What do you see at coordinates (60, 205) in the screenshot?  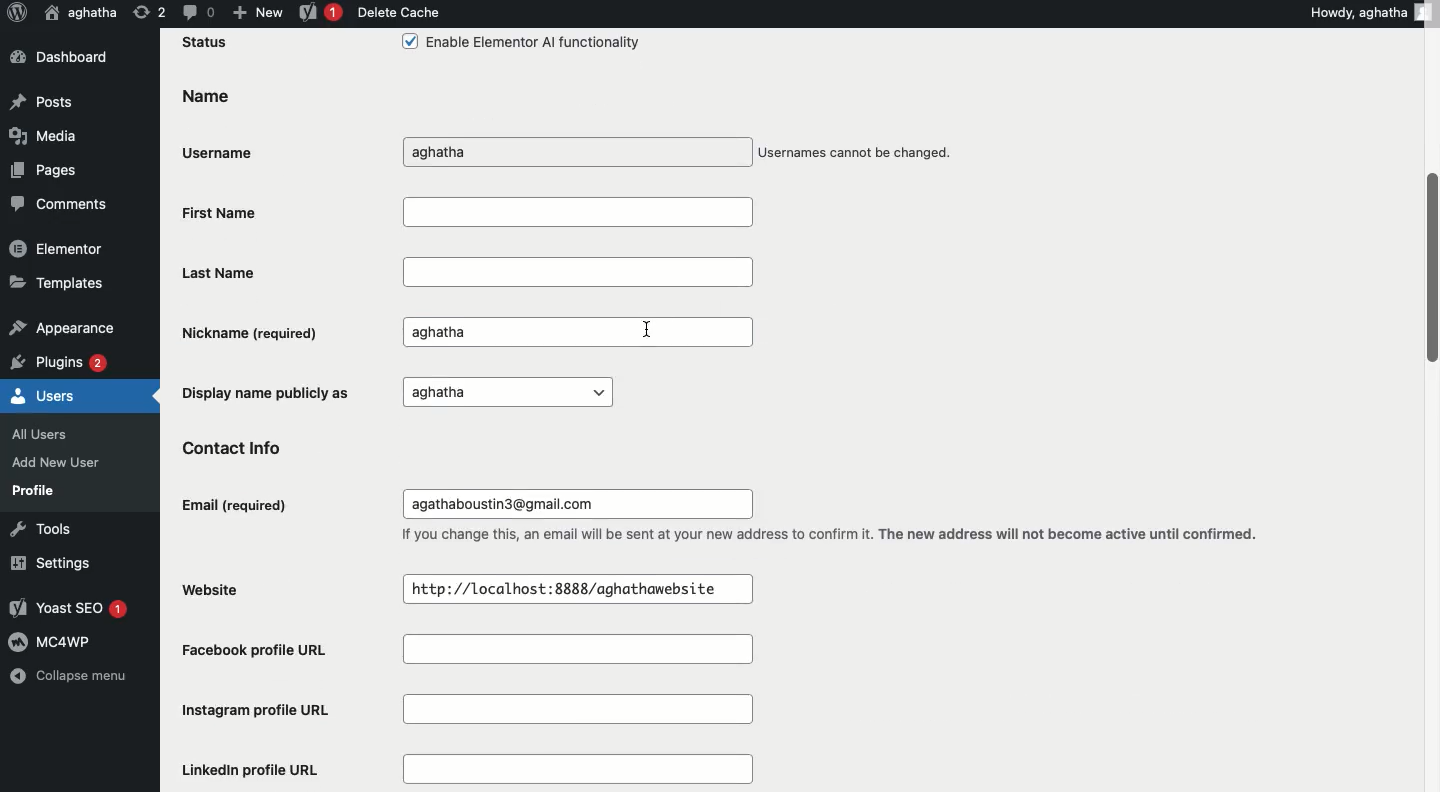 I see `Comments` at bounding box center [60, 205].